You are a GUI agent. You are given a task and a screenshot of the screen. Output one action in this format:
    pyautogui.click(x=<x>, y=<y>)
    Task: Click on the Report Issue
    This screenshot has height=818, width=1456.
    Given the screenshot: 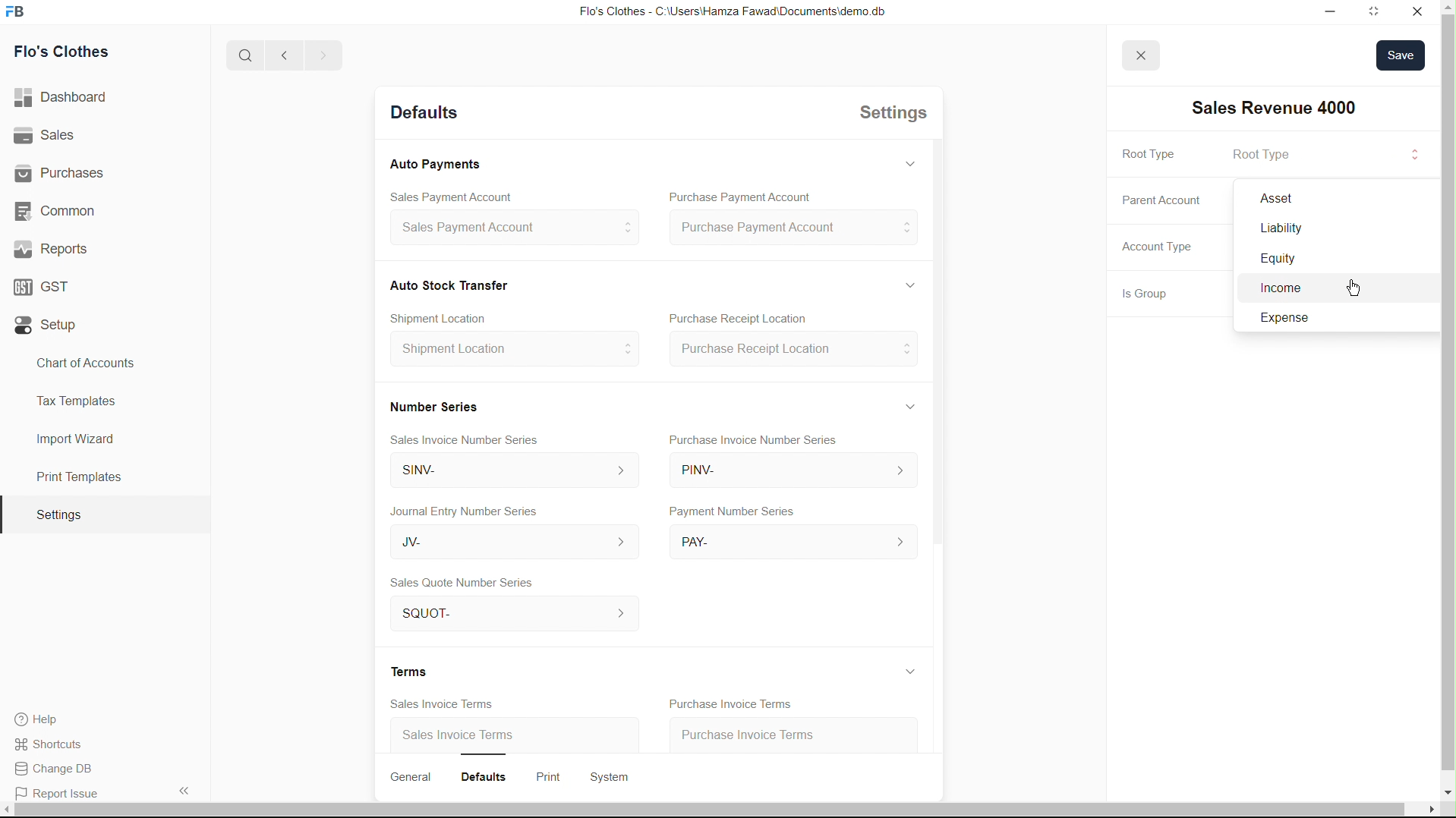 What is the action you would take?
    pyautogui.click(x=61, y=794)
    